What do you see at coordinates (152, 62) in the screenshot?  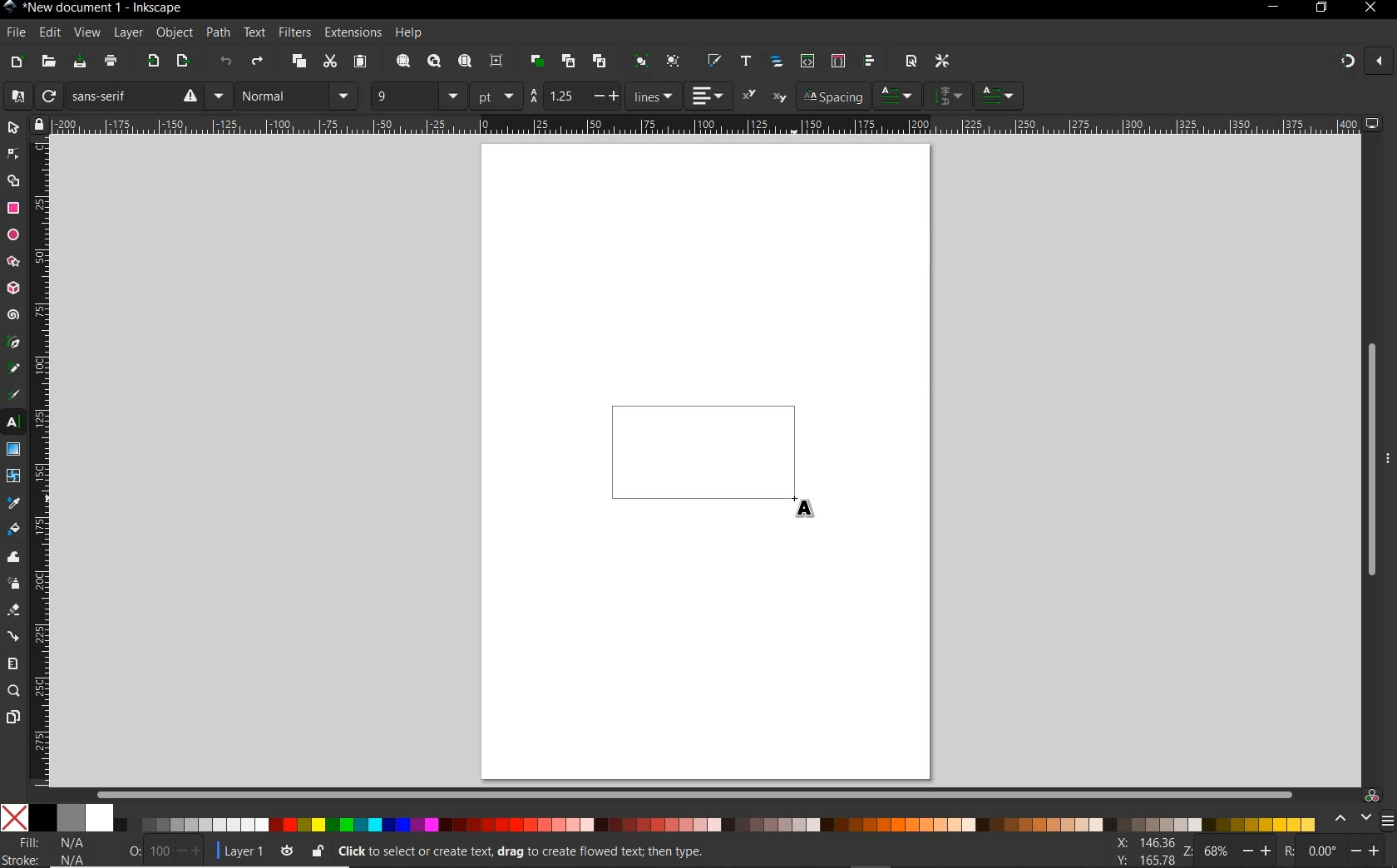 I see `import` at bounding box center [152, 62].